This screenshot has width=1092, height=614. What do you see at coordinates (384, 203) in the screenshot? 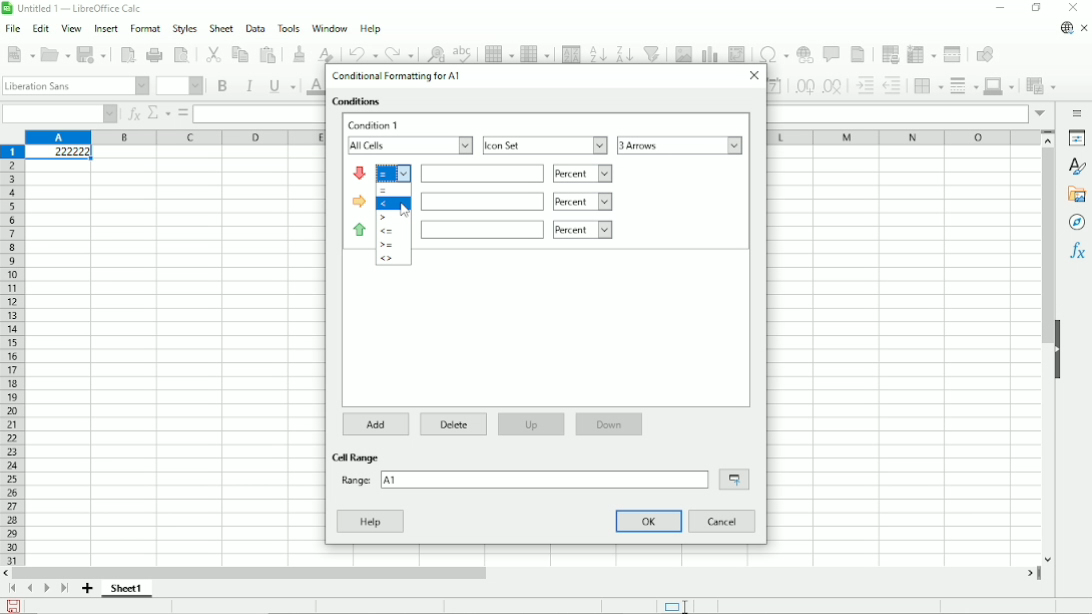
I see `<` at bounding box center [384, 203].